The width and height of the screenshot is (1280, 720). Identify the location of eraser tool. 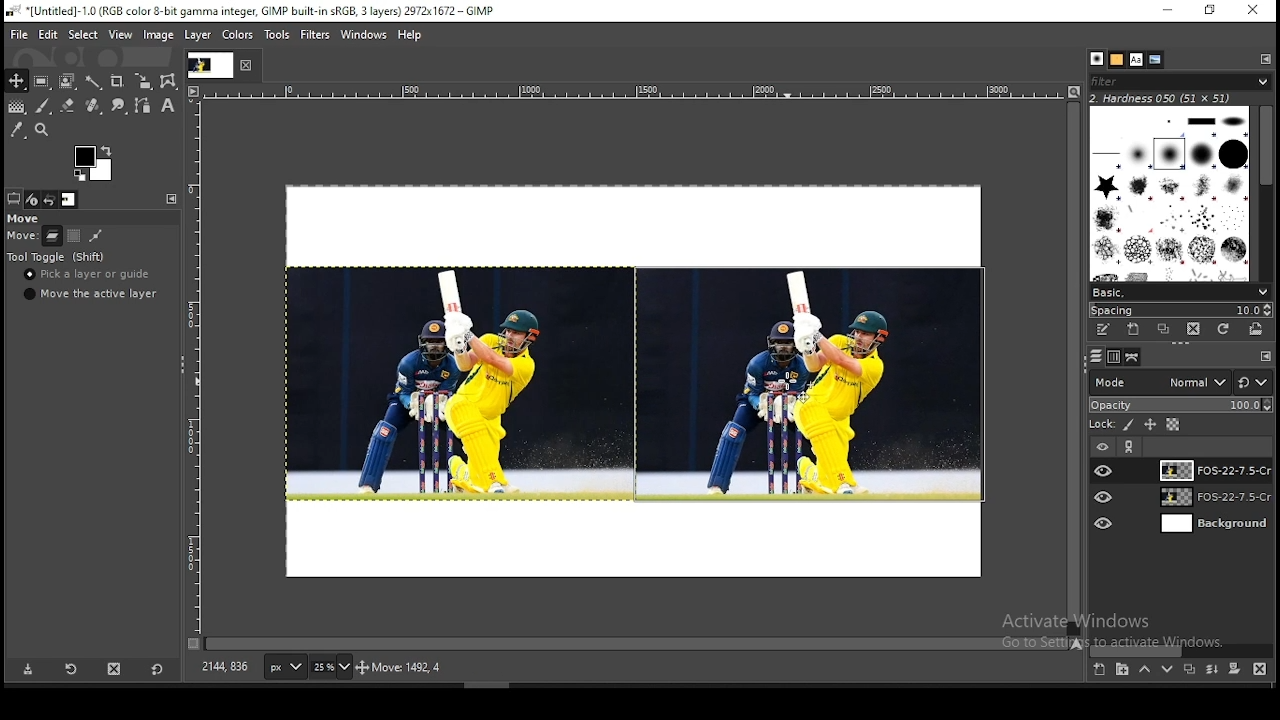
(63, 106).